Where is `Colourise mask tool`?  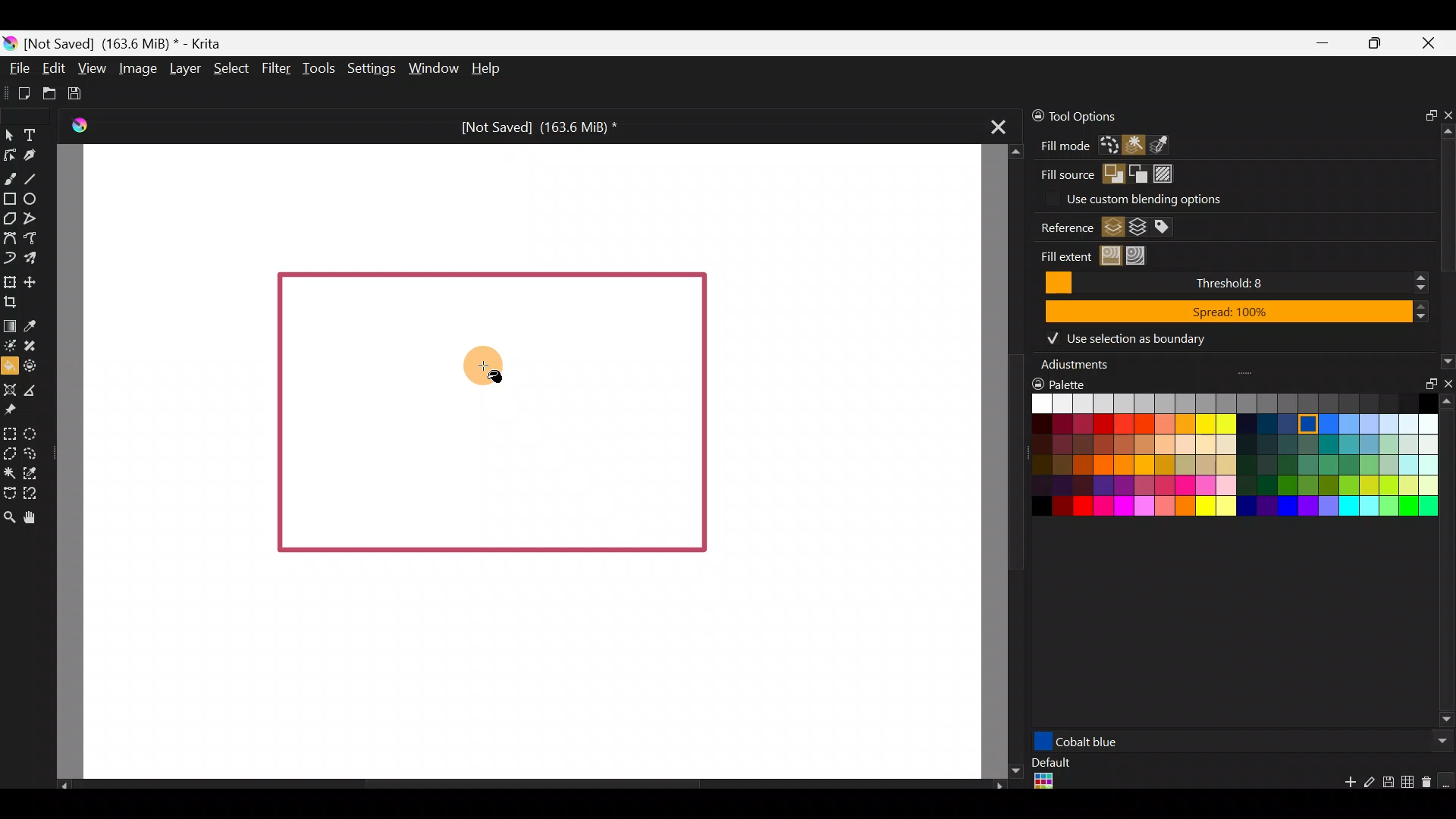
Colourise mask tool is located at coordinates (10, 347).